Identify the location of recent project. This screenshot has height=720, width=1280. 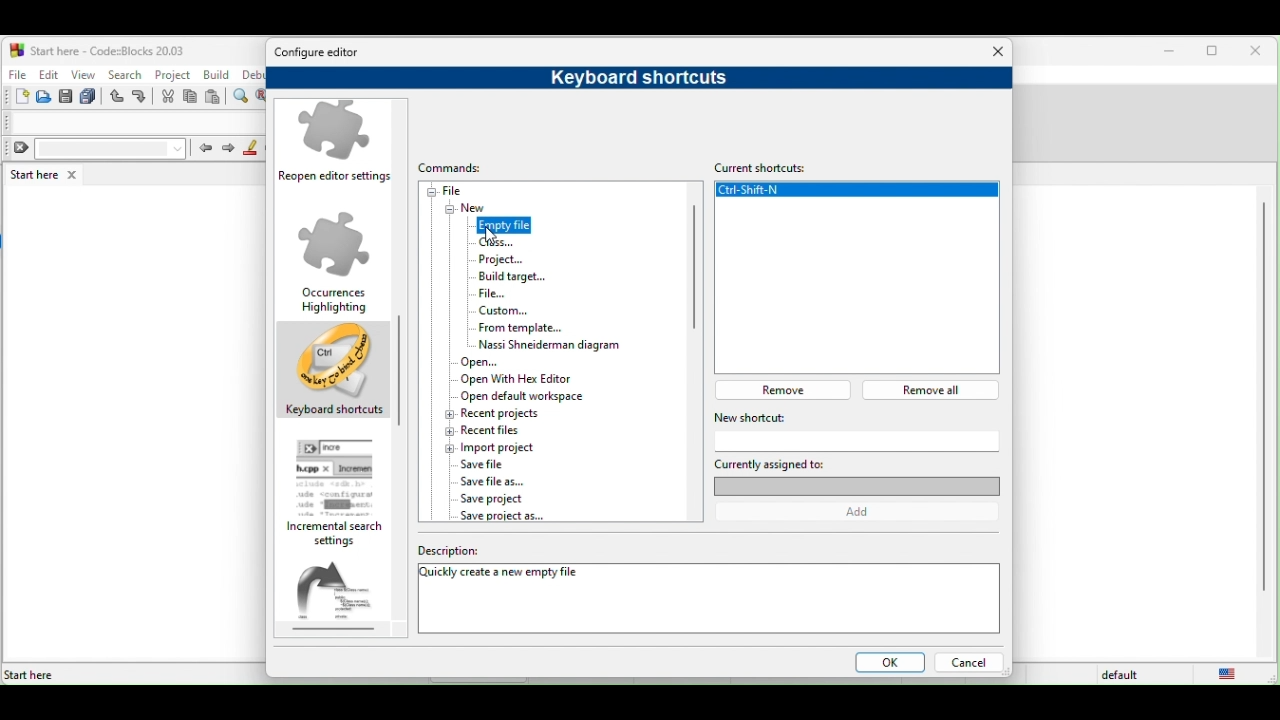
(493, 414).